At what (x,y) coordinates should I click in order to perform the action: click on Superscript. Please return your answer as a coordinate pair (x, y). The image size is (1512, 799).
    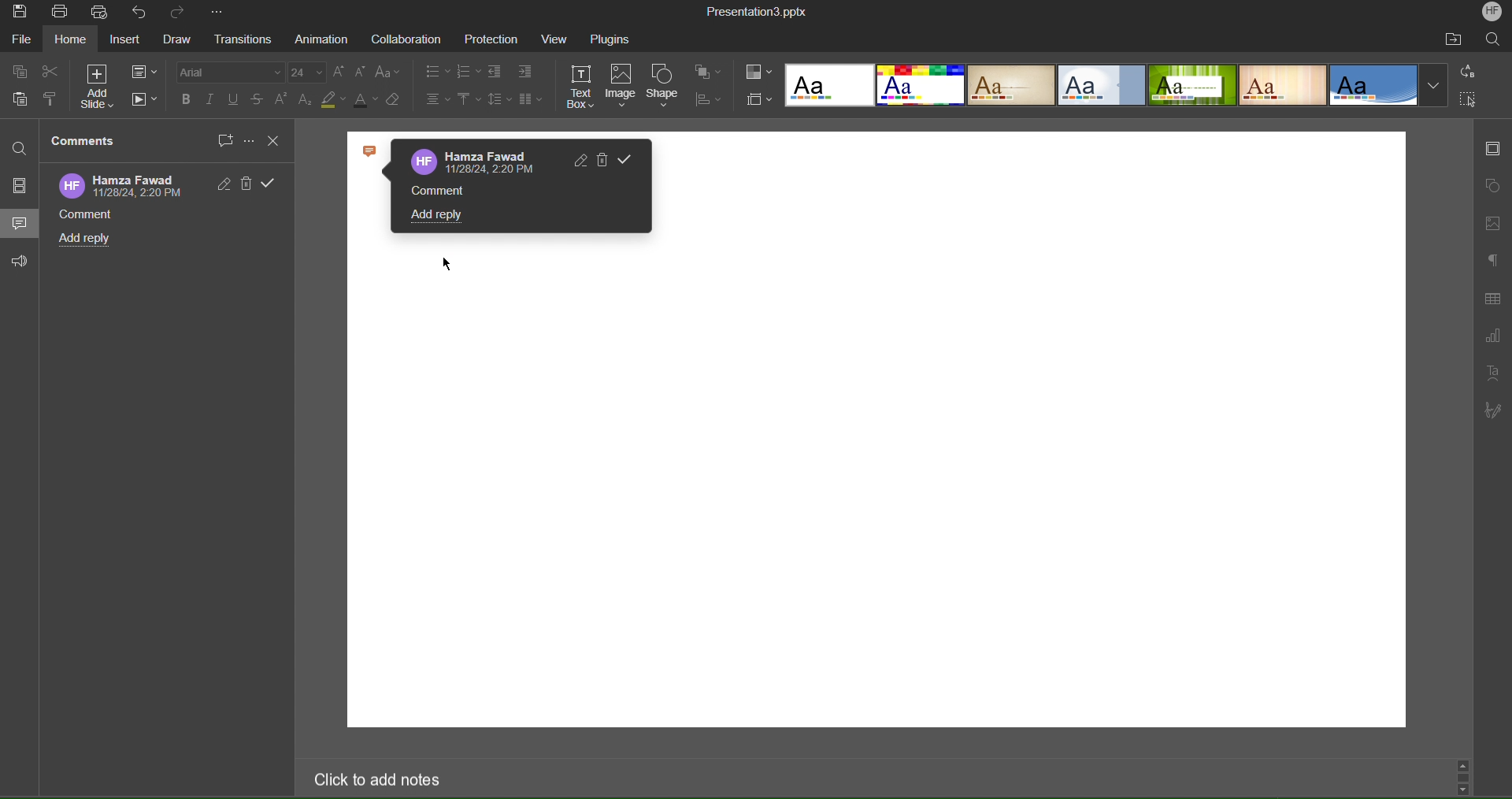
    Looking at the image, I should click on (283, 100).